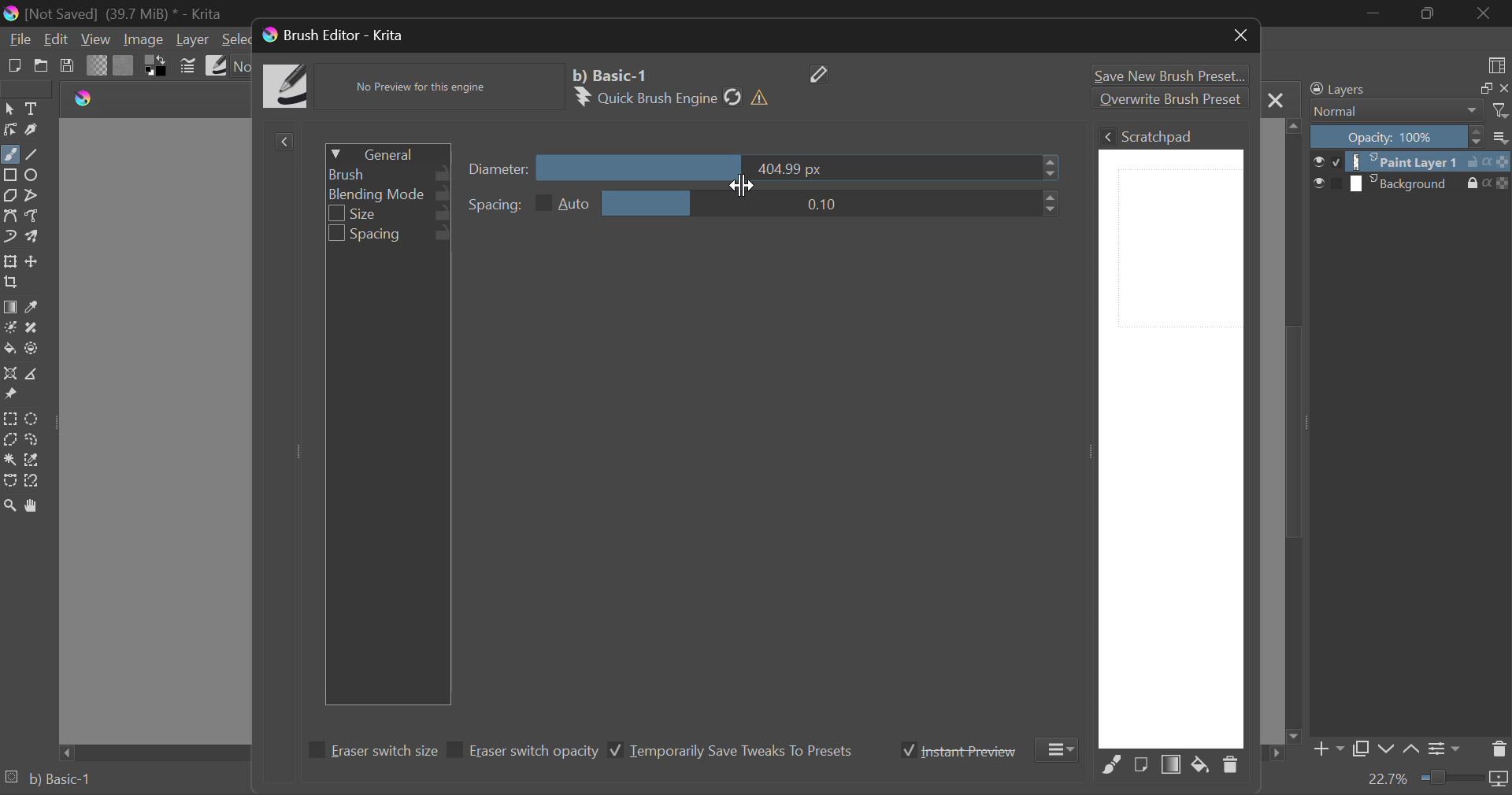  Describe the element at coordinates (217, 66) in the screenshot. I see `Brush Presets` at that location.